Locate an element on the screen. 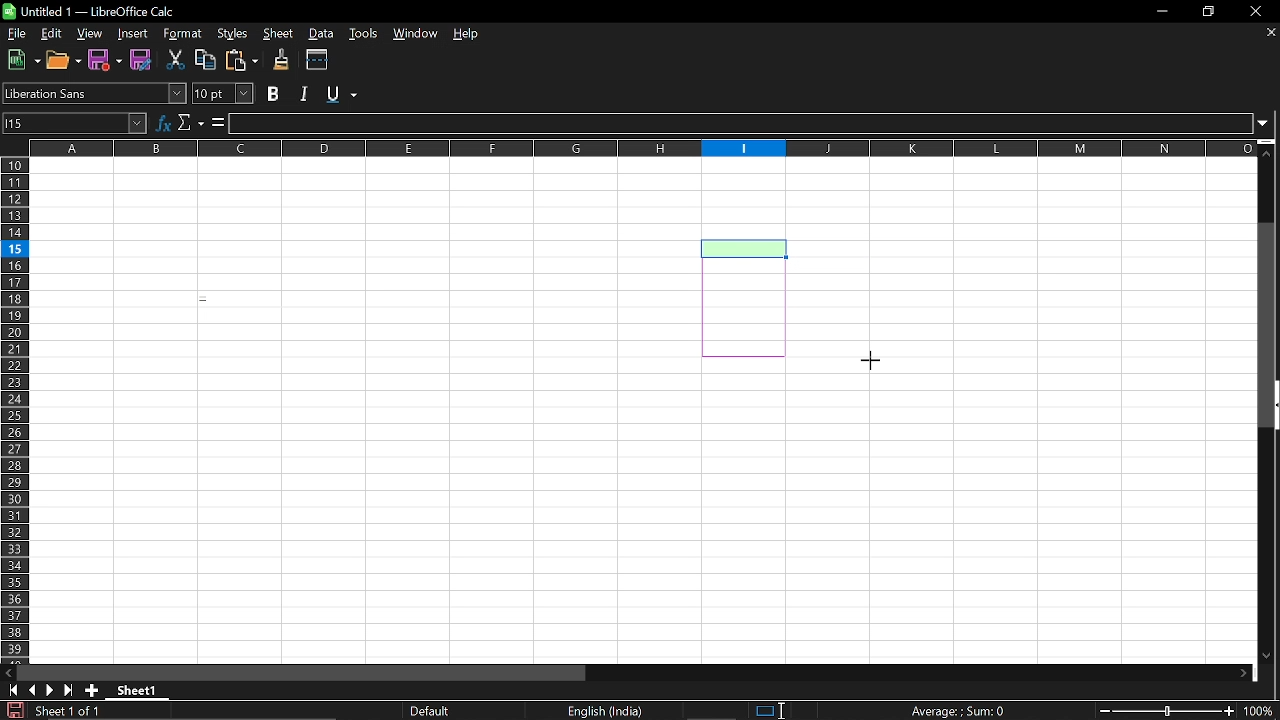  Input line is located at coordinates (742, 124).